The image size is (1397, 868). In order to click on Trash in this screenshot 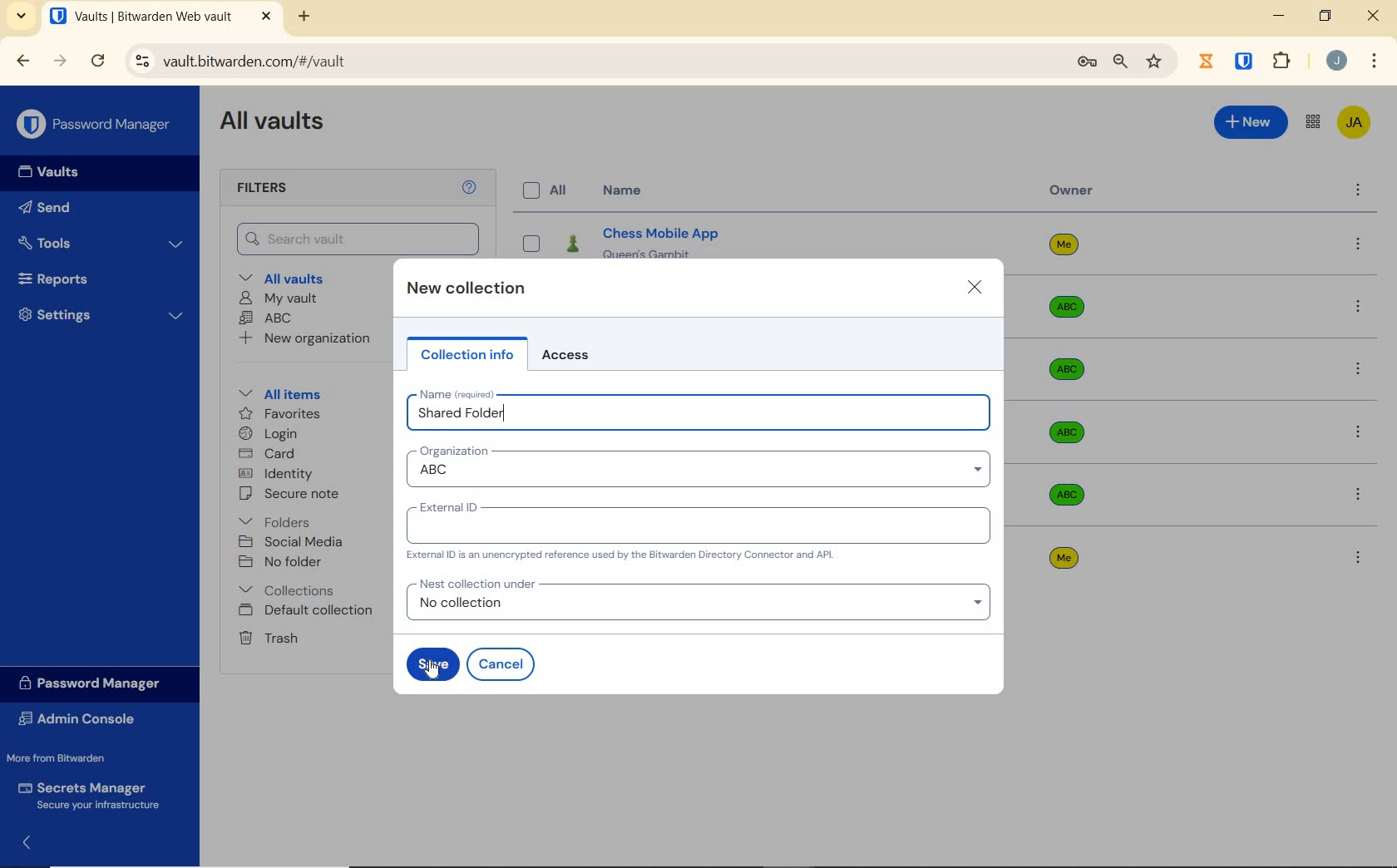, I will do `click(269, 638)`.